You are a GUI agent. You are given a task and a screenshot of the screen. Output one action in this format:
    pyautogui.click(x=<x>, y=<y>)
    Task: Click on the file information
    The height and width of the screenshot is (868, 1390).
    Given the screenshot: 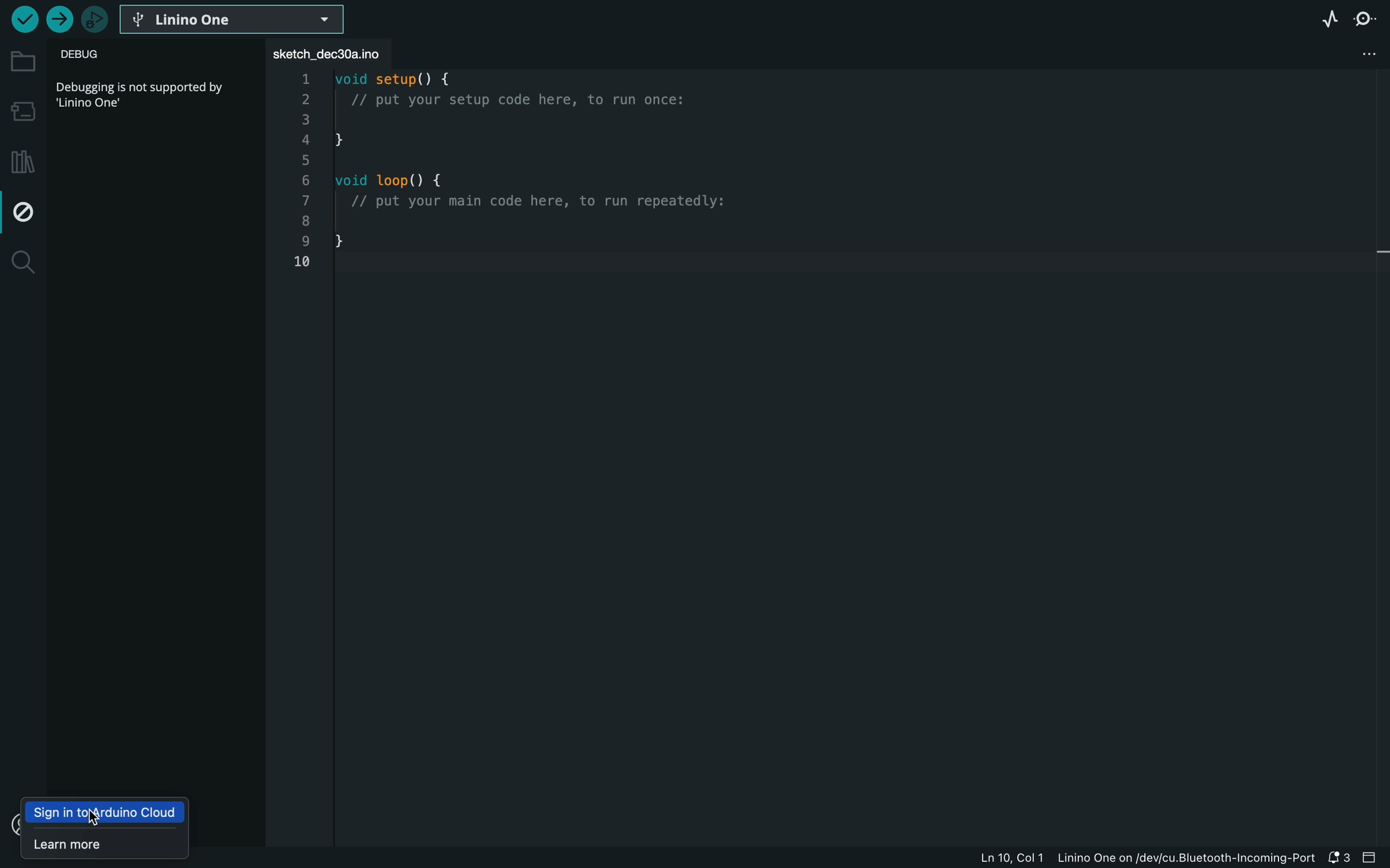 What is the action you would take?
    pyautogui.click(x=1148, y=859)
    